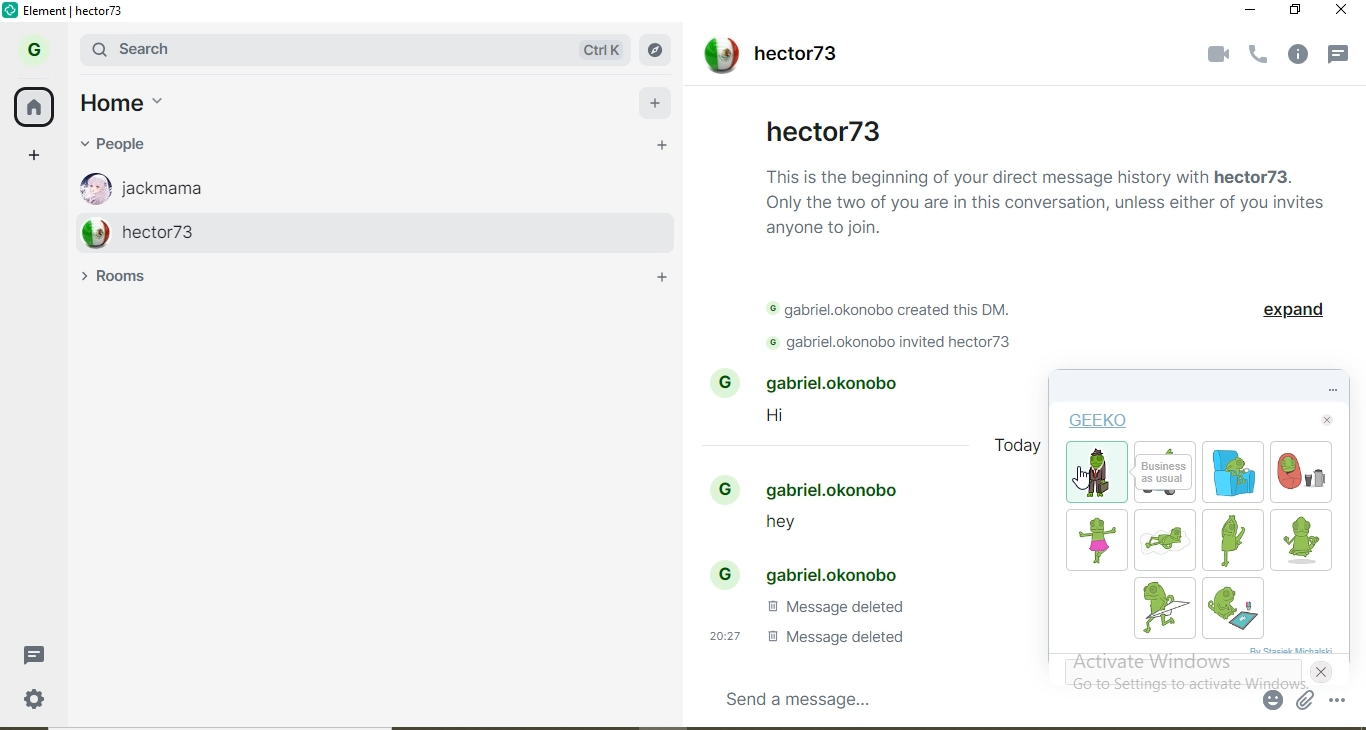 This screenshot has width=1366, height=730. I want to click on jackmama, so click(344, 184).